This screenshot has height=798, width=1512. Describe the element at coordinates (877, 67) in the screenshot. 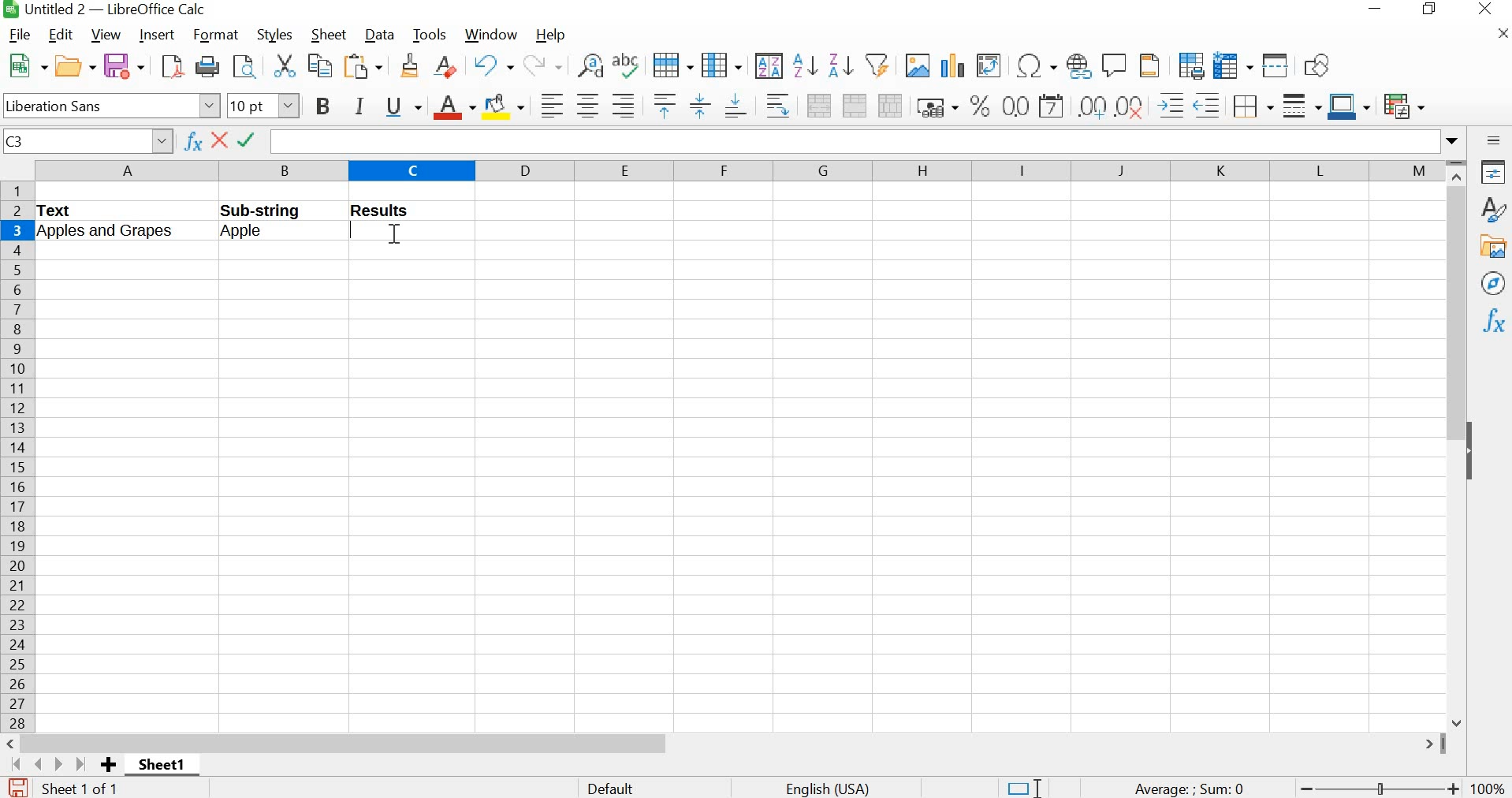

I see `autofilter` at that location.